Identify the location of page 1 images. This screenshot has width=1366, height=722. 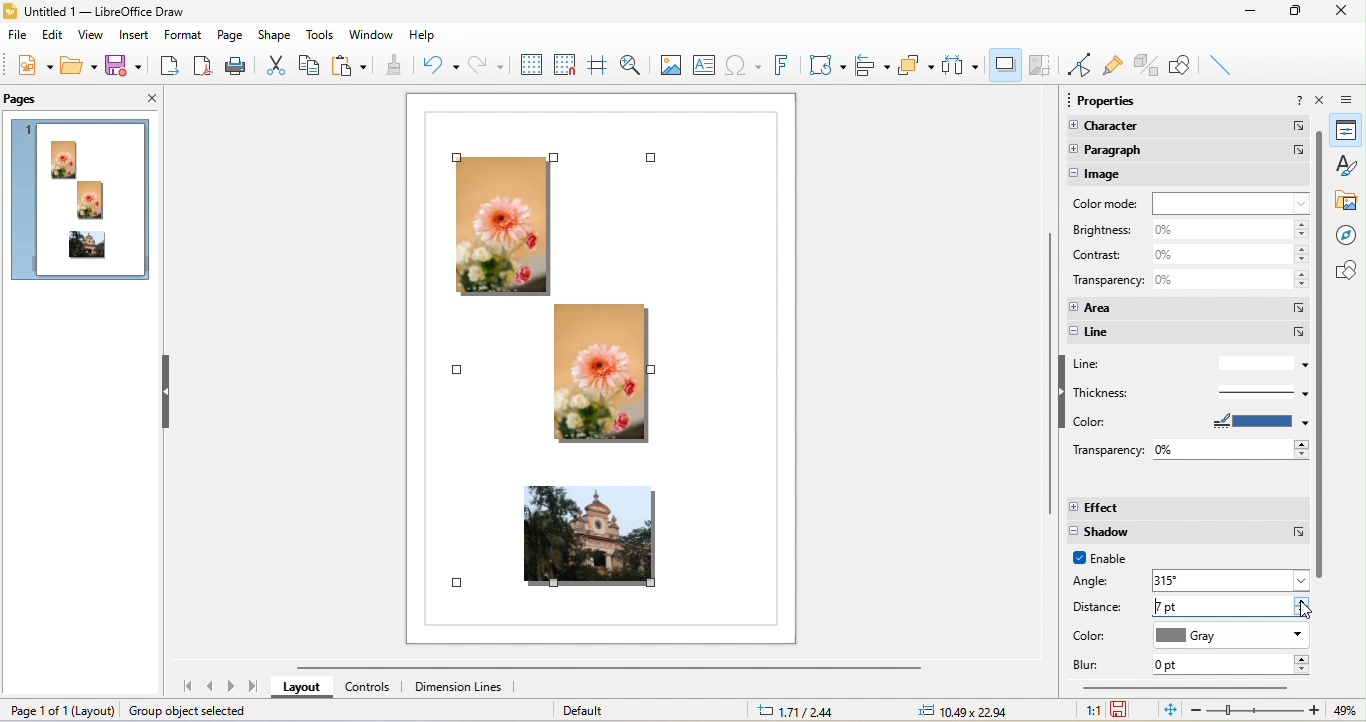
(83, 203).